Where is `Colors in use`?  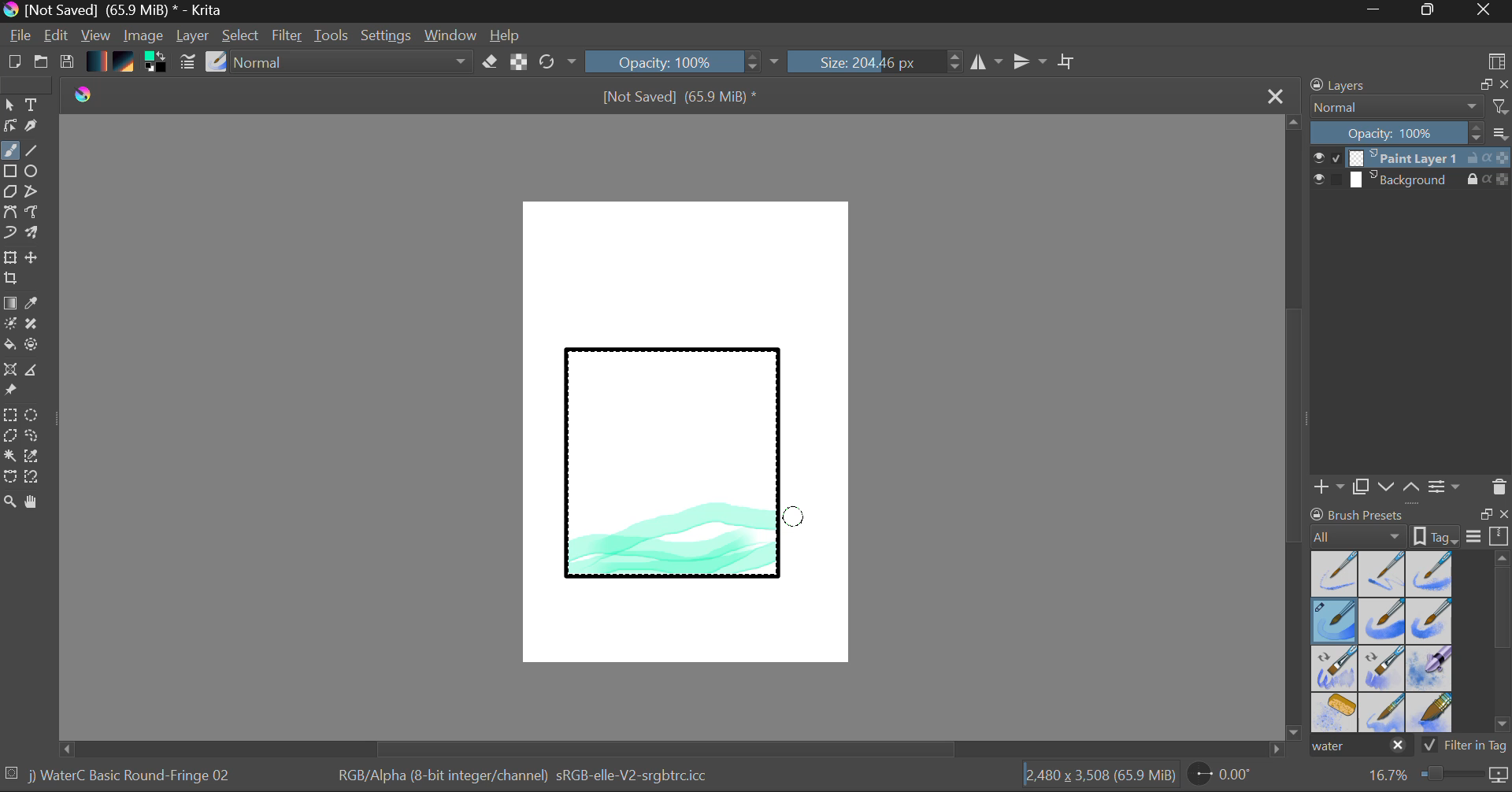 Colors in use is located at coordinates (157, 63).